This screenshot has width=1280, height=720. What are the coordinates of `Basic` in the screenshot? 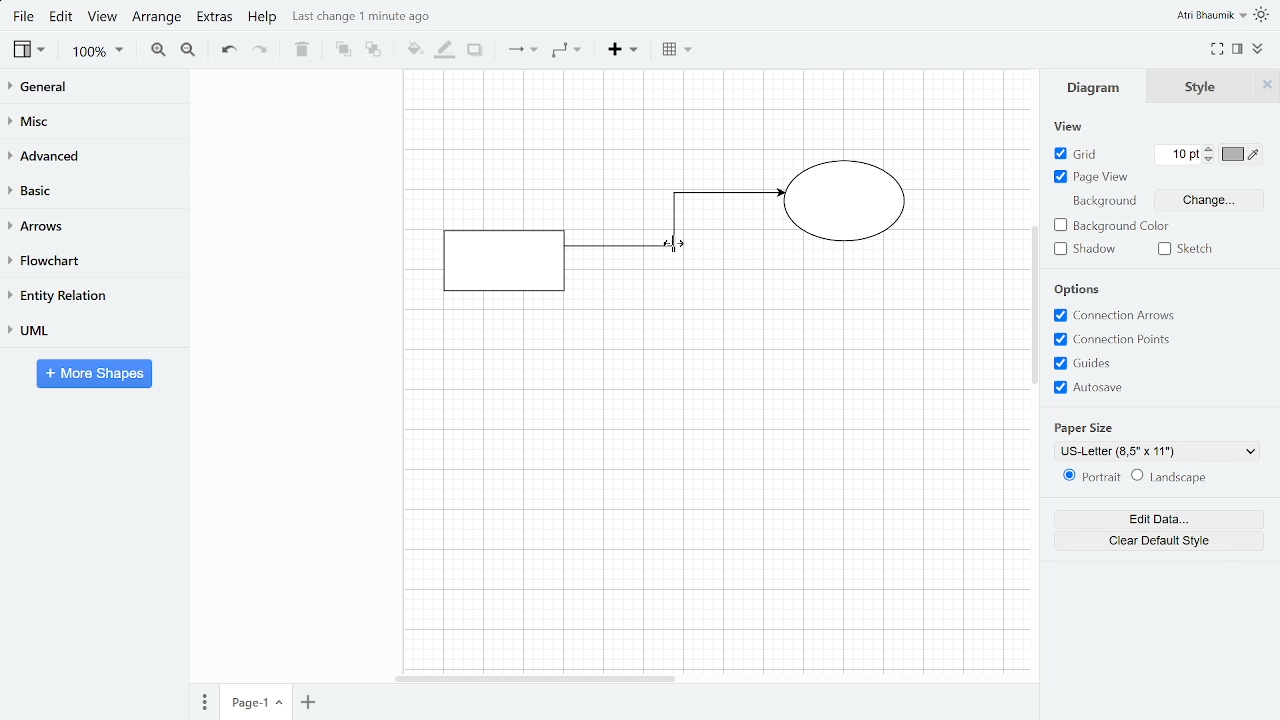 It's located at (93, 189).